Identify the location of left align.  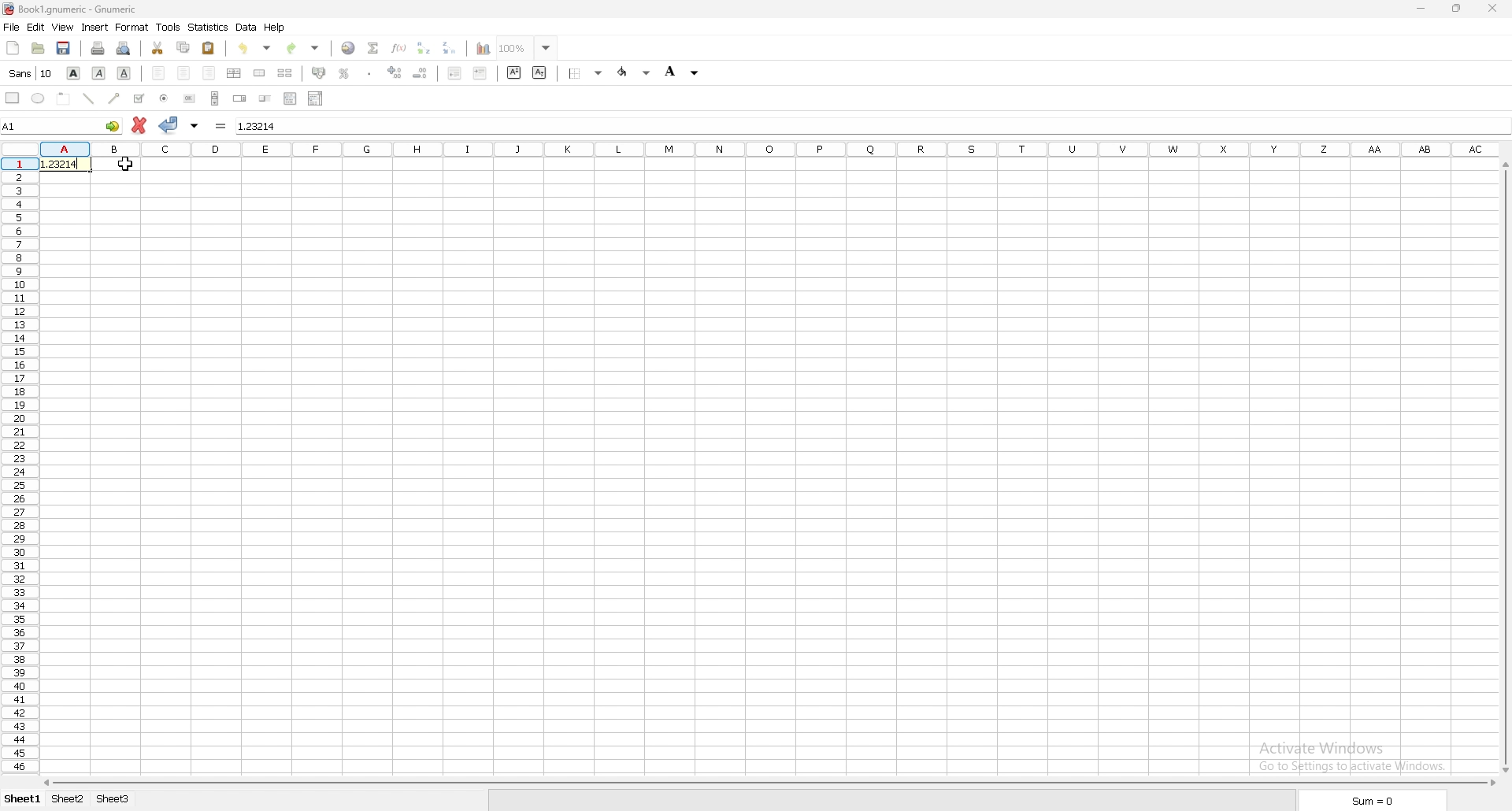
(158, 72).